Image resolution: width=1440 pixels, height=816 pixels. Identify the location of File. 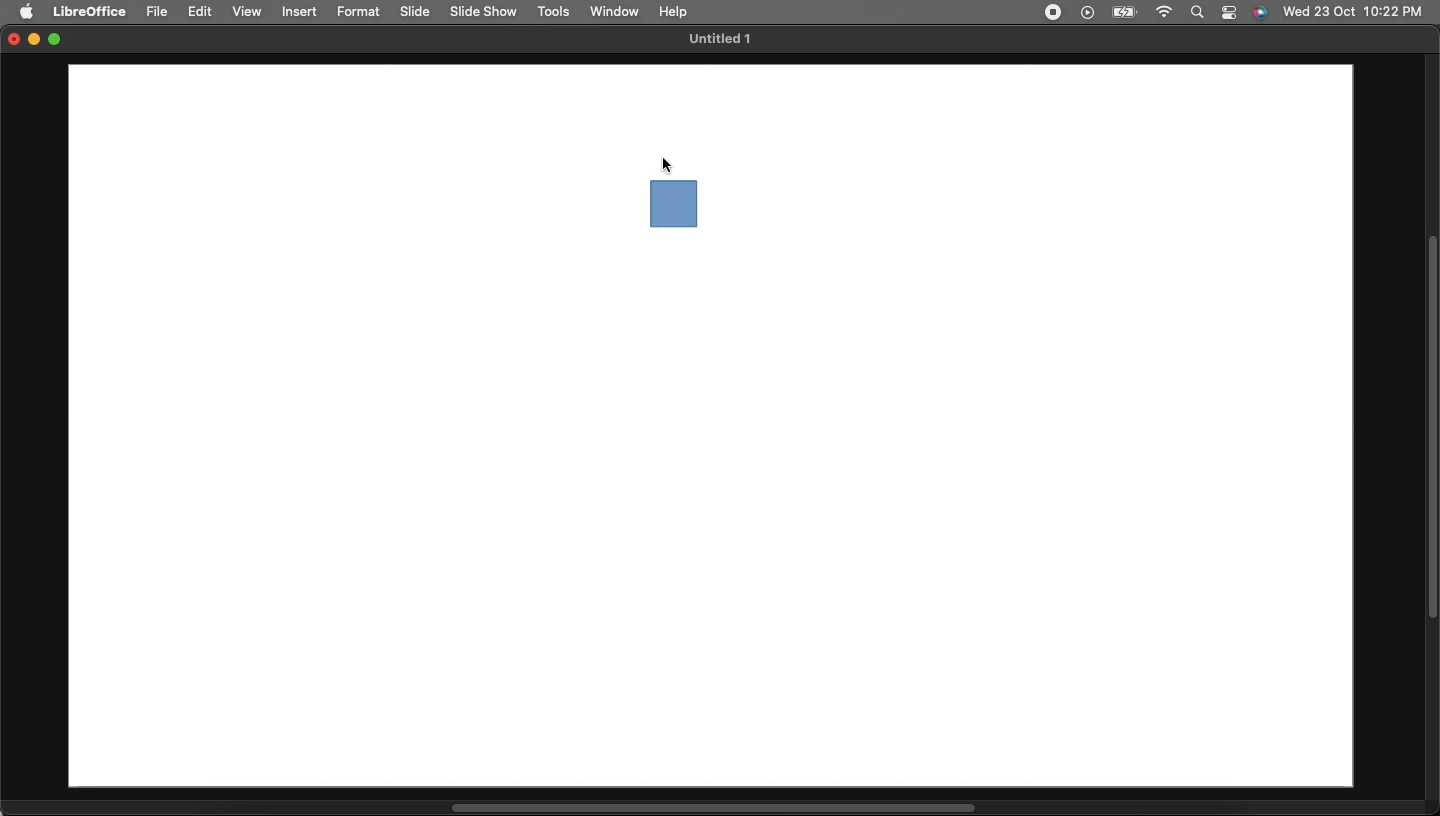
(159, 12).